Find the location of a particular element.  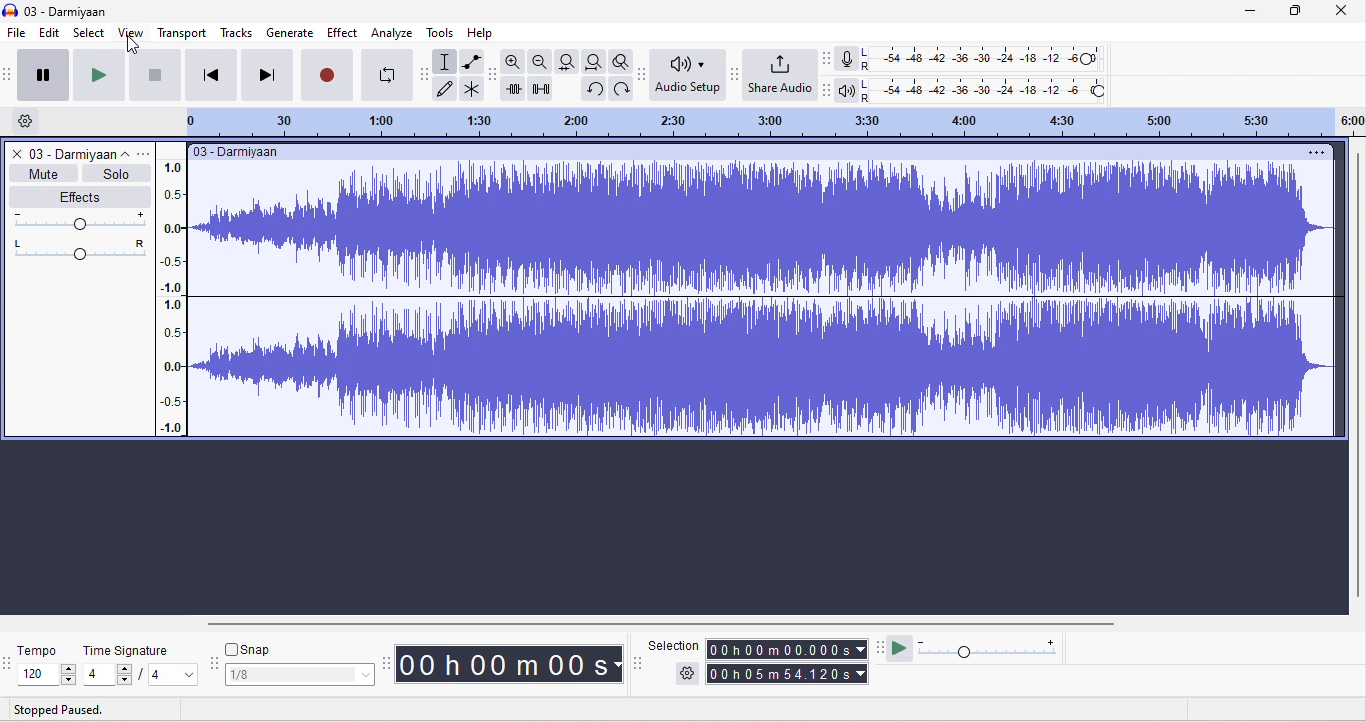

silence selection is located at coordinates (544, 90).